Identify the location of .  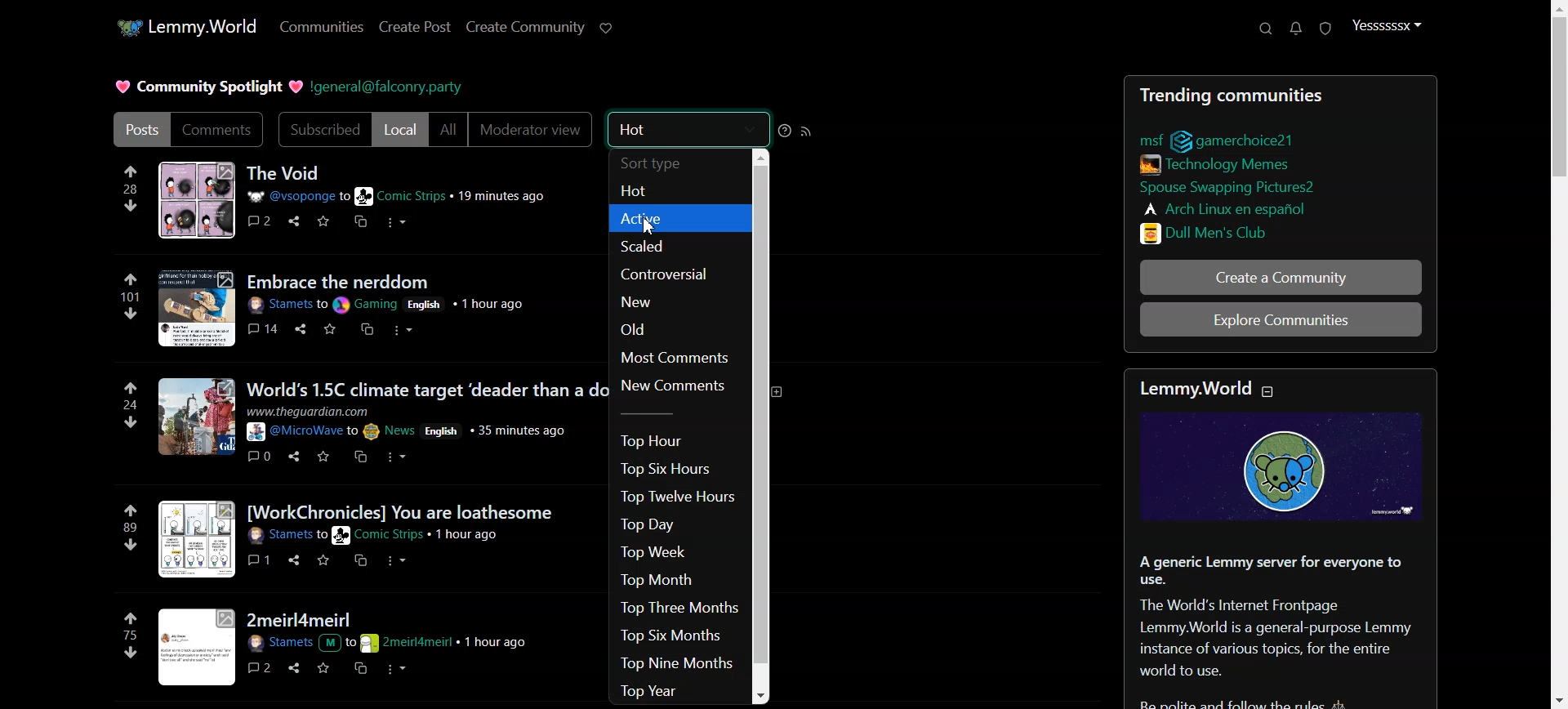
(293, 220).